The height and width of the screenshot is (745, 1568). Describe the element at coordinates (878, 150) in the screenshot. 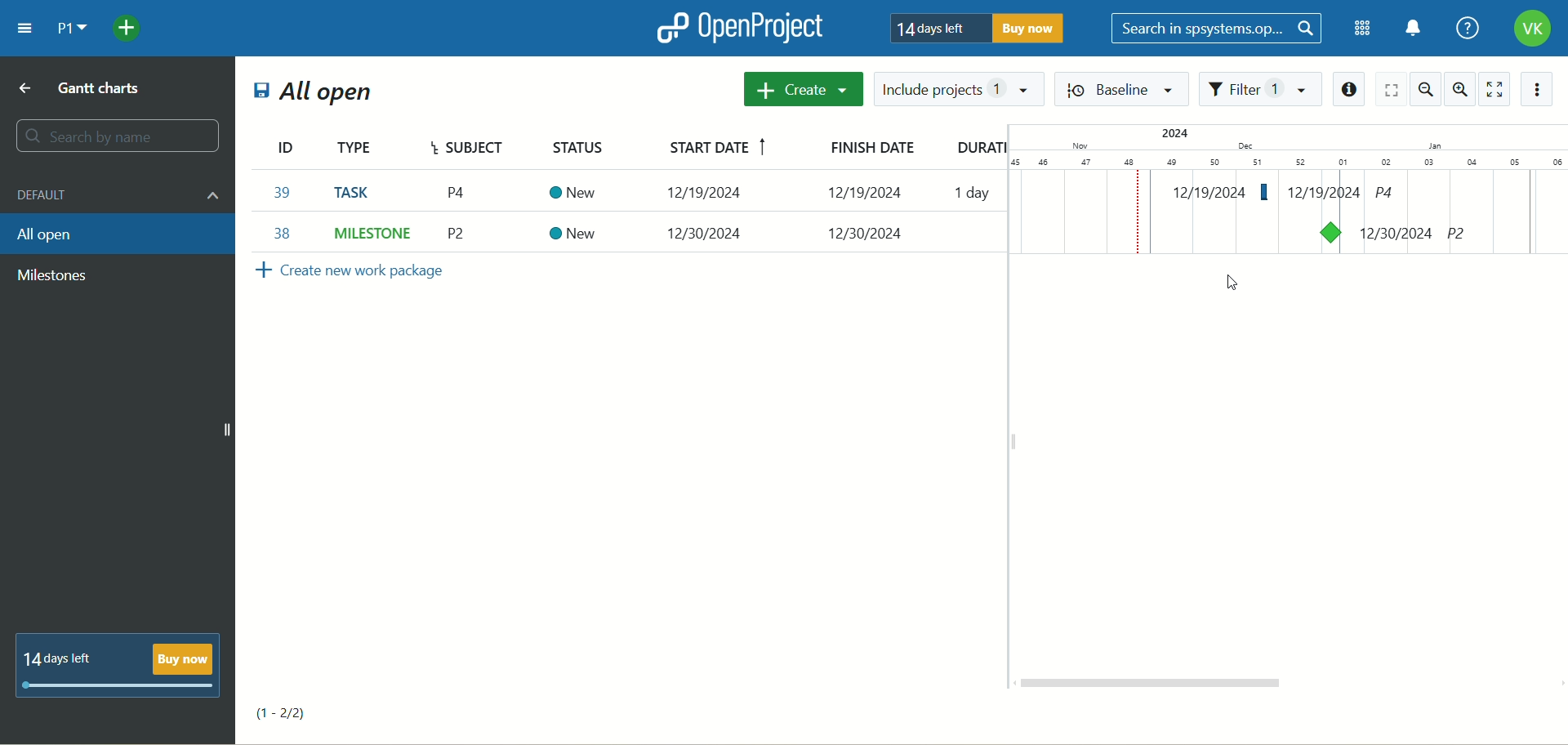

I see `finish date` at that location.